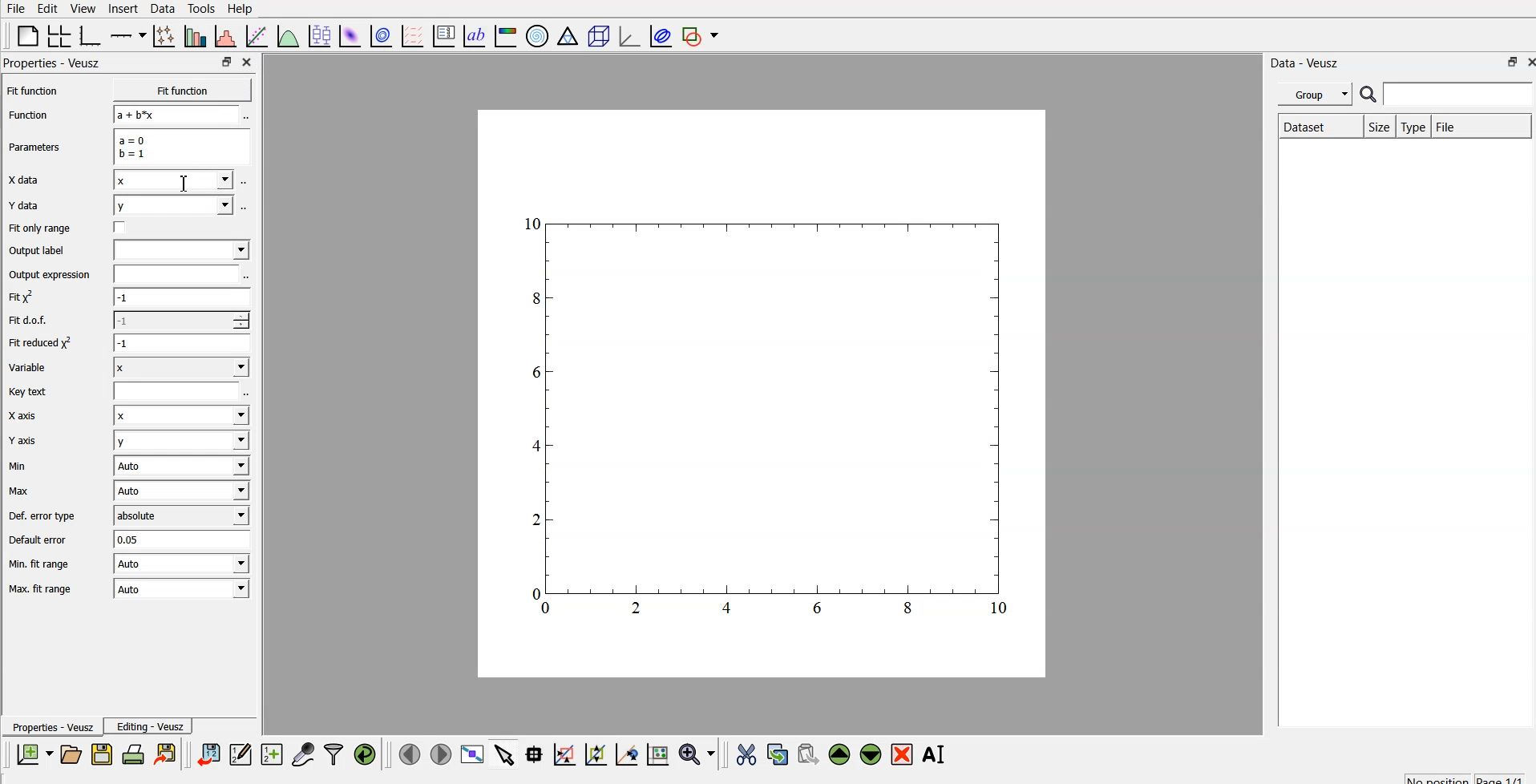 The image size is (1536, 784). Describe the element at coordinates (183, 416) in the screenshot. I see `` at that location.